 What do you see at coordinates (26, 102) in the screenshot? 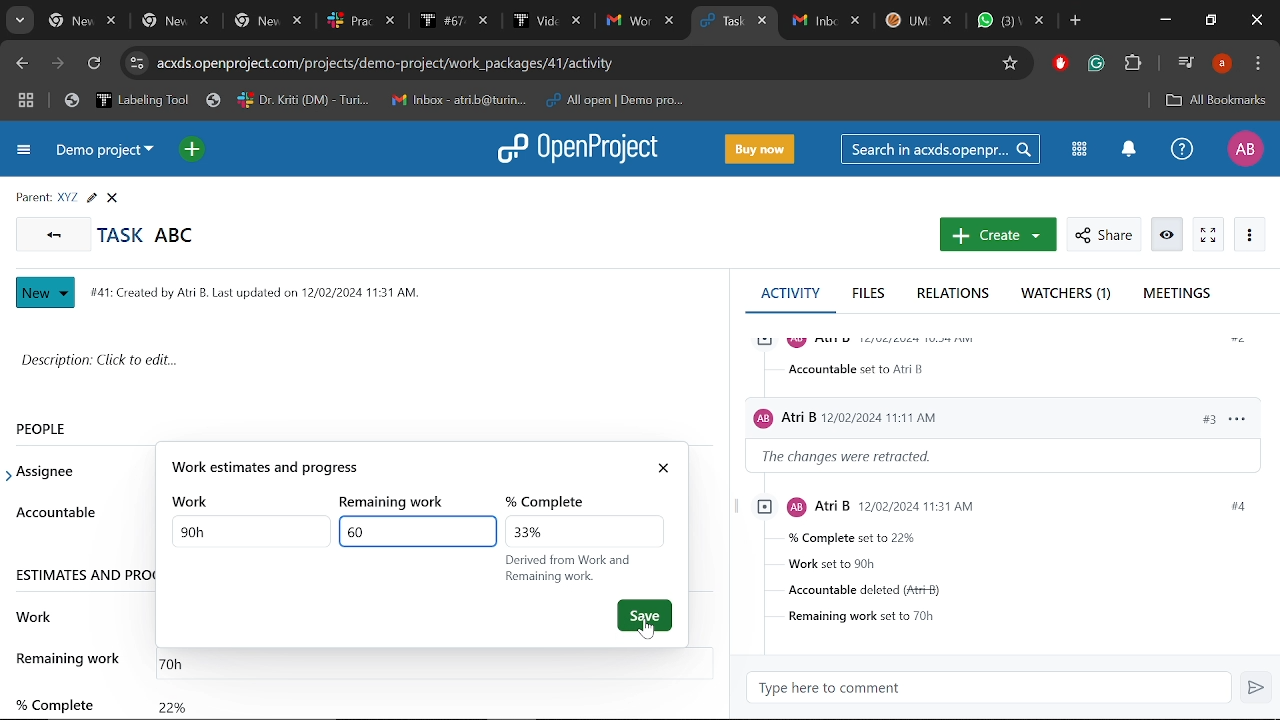
I see `Tab groups` at bounding box center [26, 102].